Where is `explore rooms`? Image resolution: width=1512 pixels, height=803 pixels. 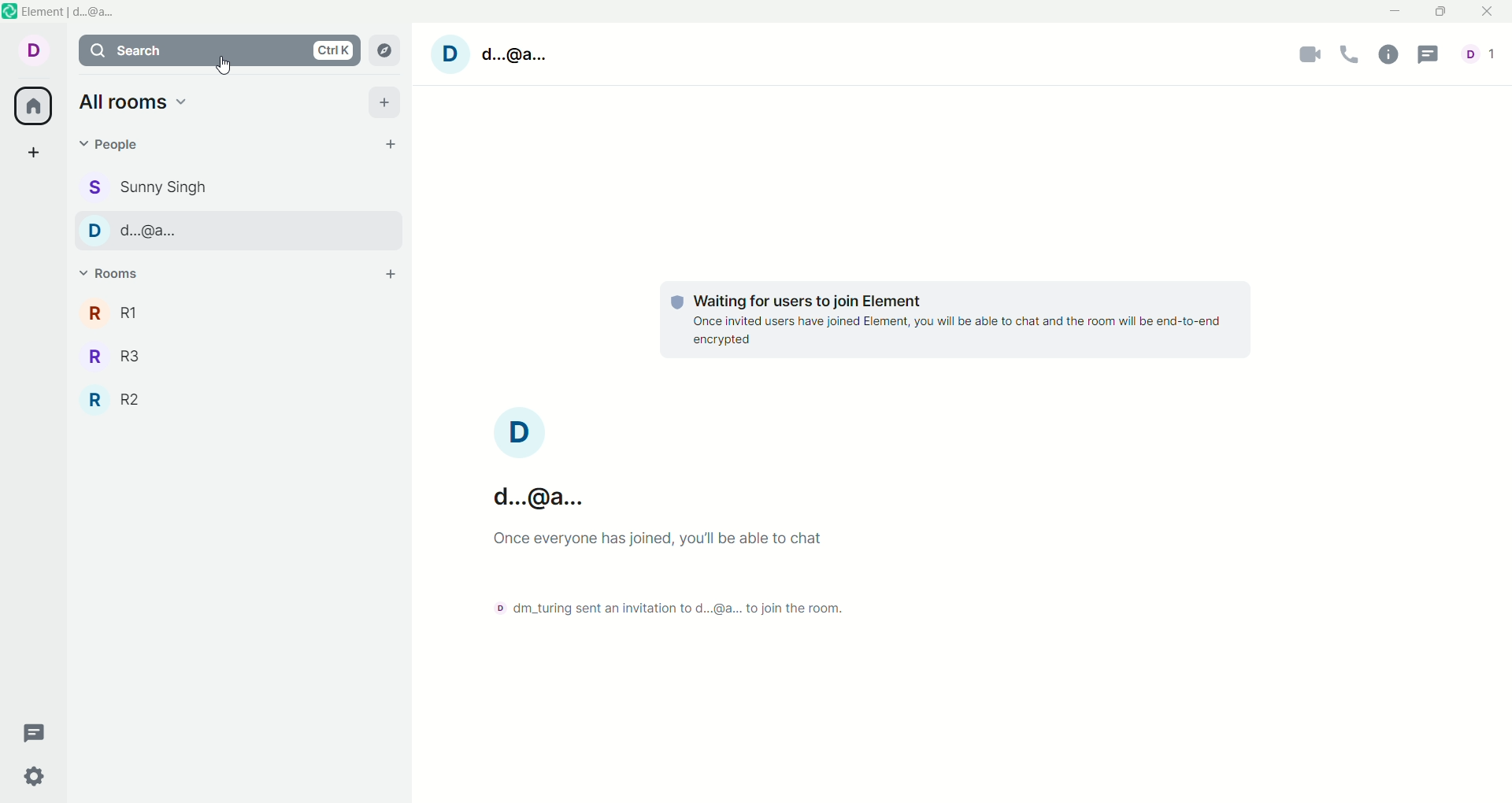 explore rooms is located at coordinates (382, 52).